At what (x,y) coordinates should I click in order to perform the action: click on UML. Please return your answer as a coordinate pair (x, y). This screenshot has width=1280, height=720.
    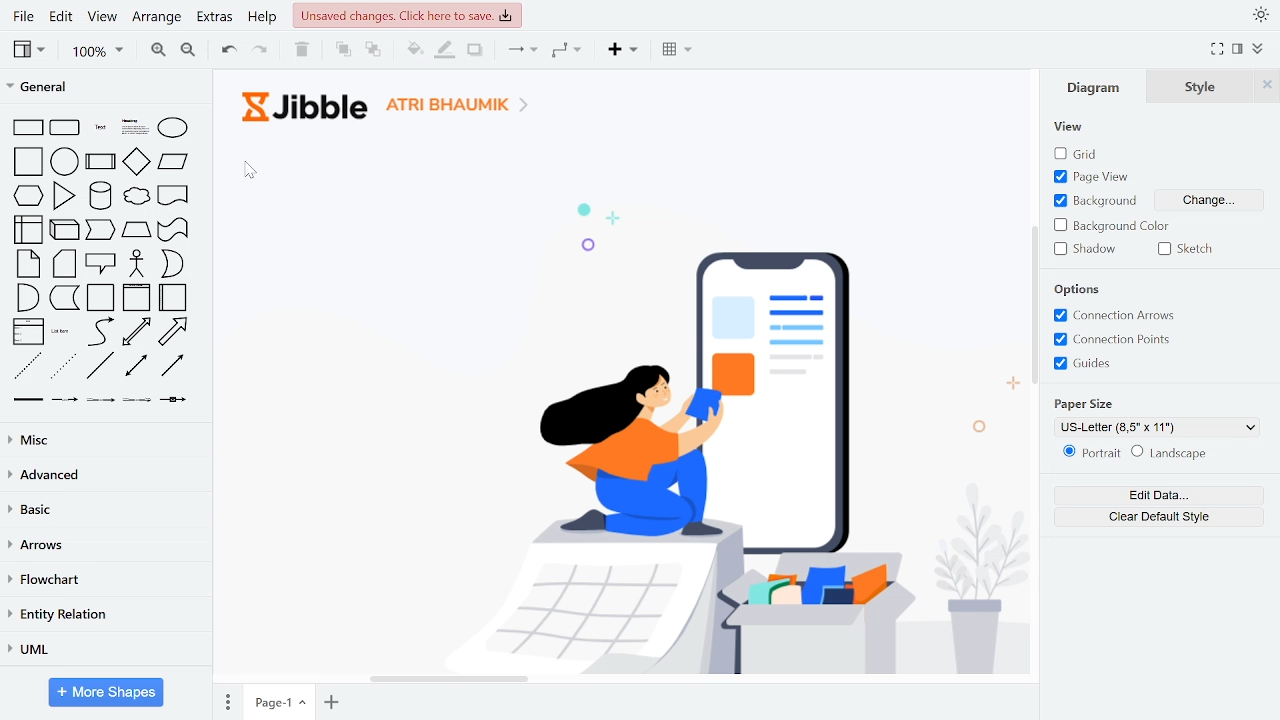
    Looking at the image, I should click on (101, 649).